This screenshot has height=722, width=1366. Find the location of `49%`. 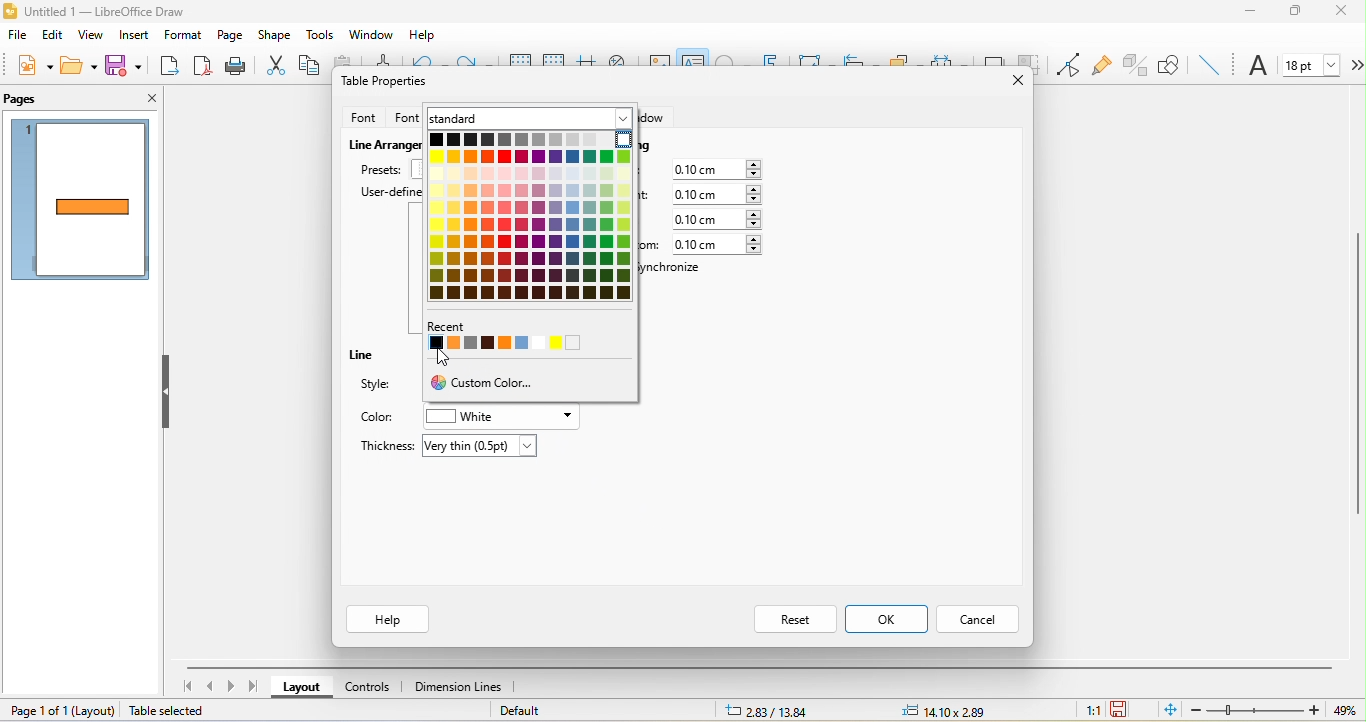

49% is located at coordinates (1343, 711).